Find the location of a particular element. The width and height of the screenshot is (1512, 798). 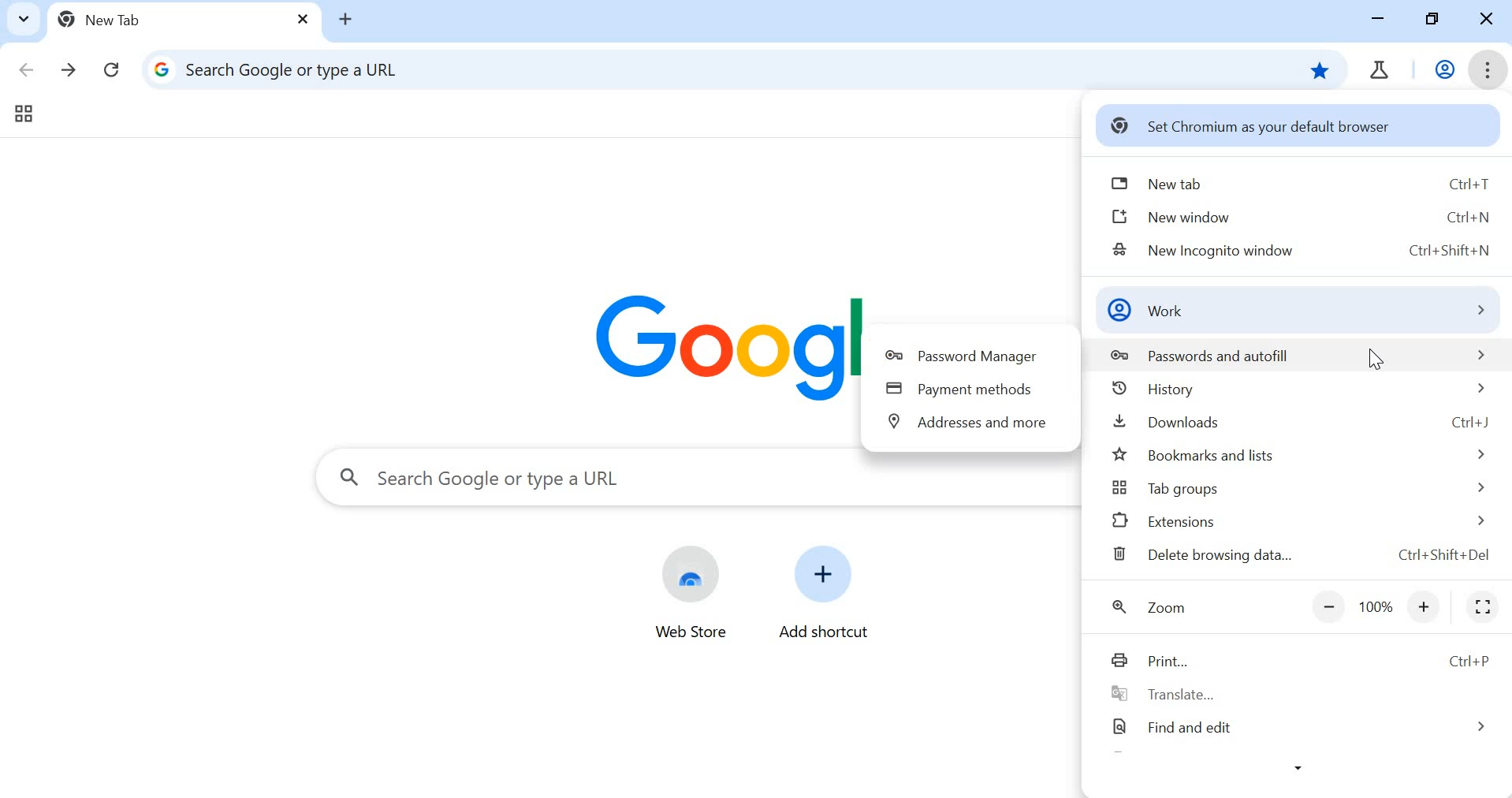

delete browsing data is located at coordinates (1300, 559).